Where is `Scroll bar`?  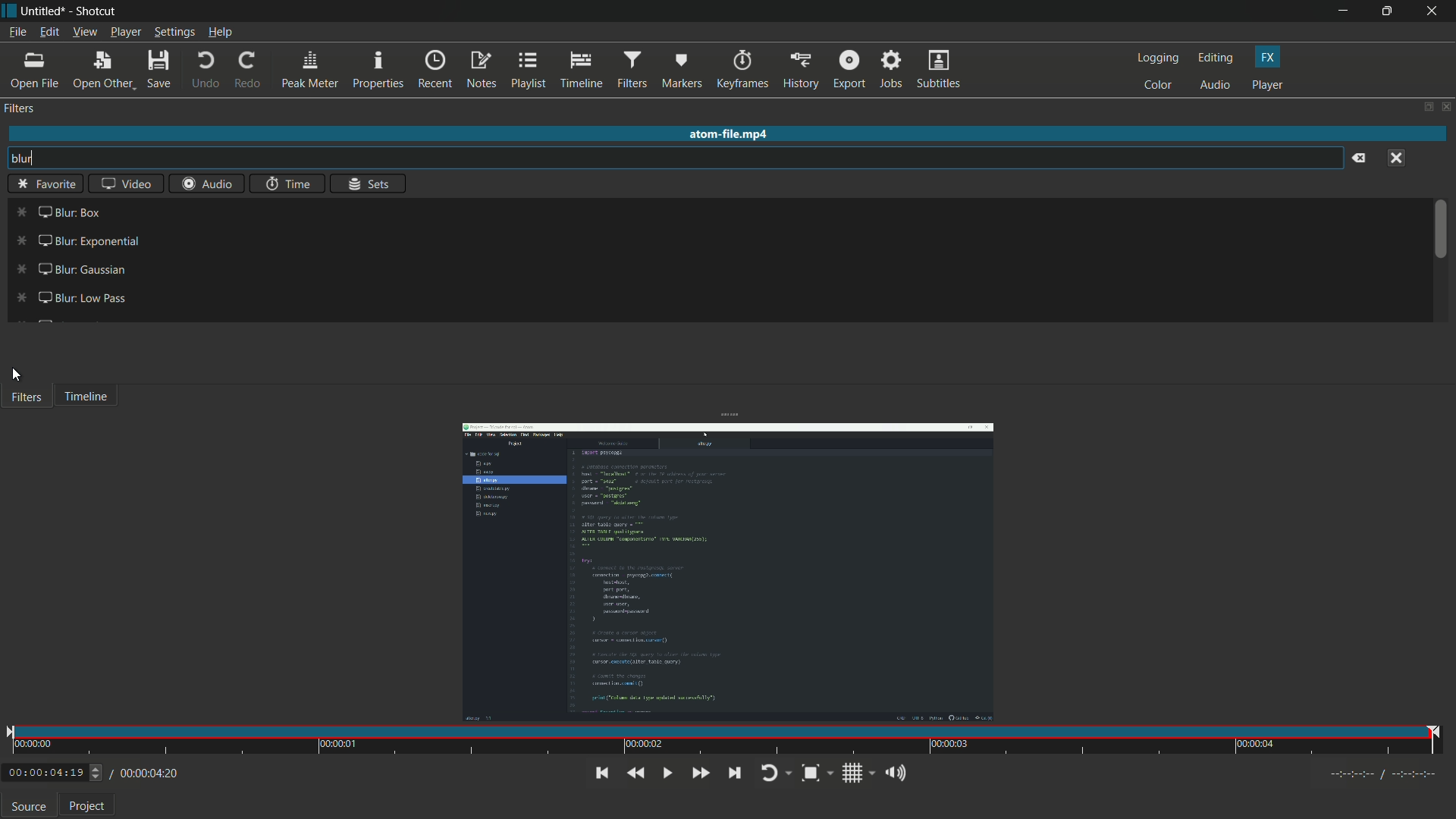 Scroll bar is located at coordinates (1442, 235).